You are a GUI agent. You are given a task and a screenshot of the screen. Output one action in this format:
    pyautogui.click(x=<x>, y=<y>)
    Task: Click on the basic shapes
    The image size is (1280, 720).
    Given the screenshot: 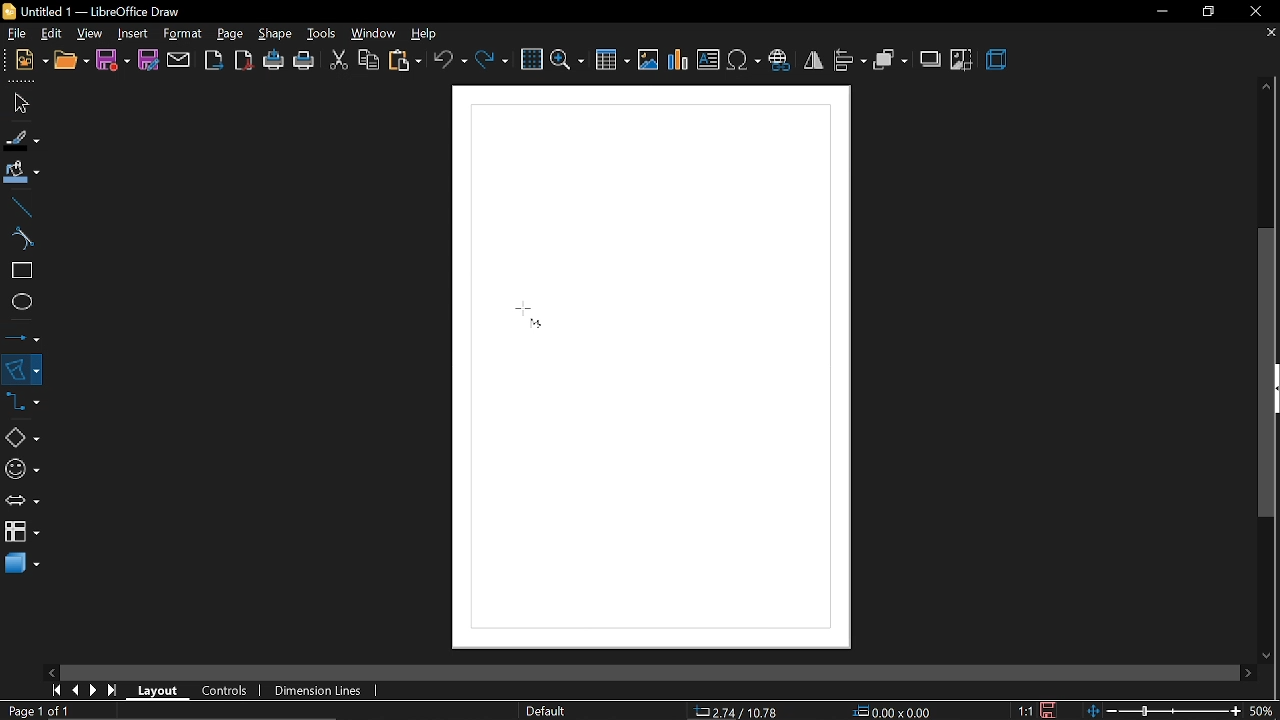 What is the action you would take?
    pyautogui.click(x=21, y=439)
    